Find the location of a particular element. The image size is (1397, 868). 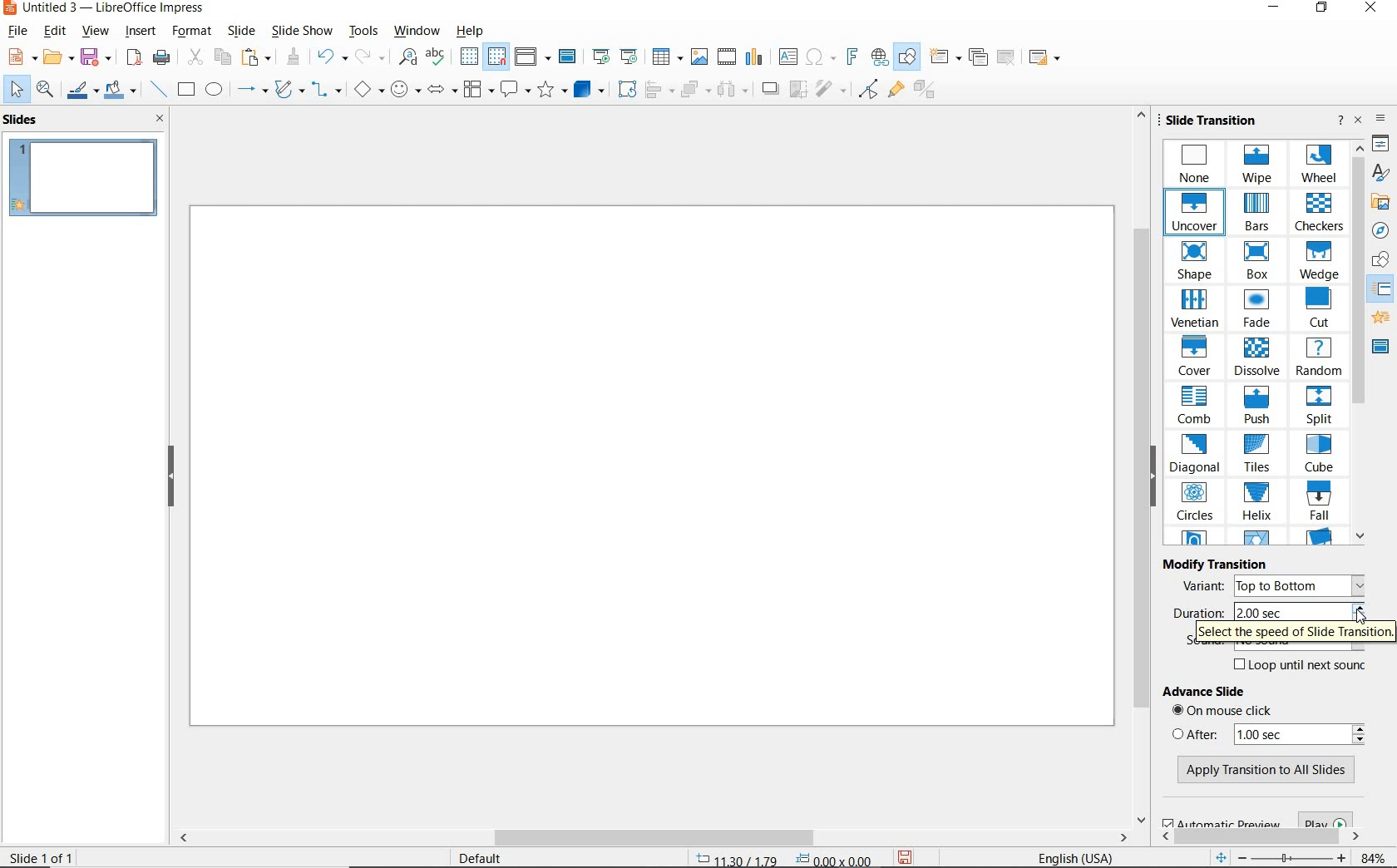

DUPLICATE SLIDE is located at coordinates (979, 57).